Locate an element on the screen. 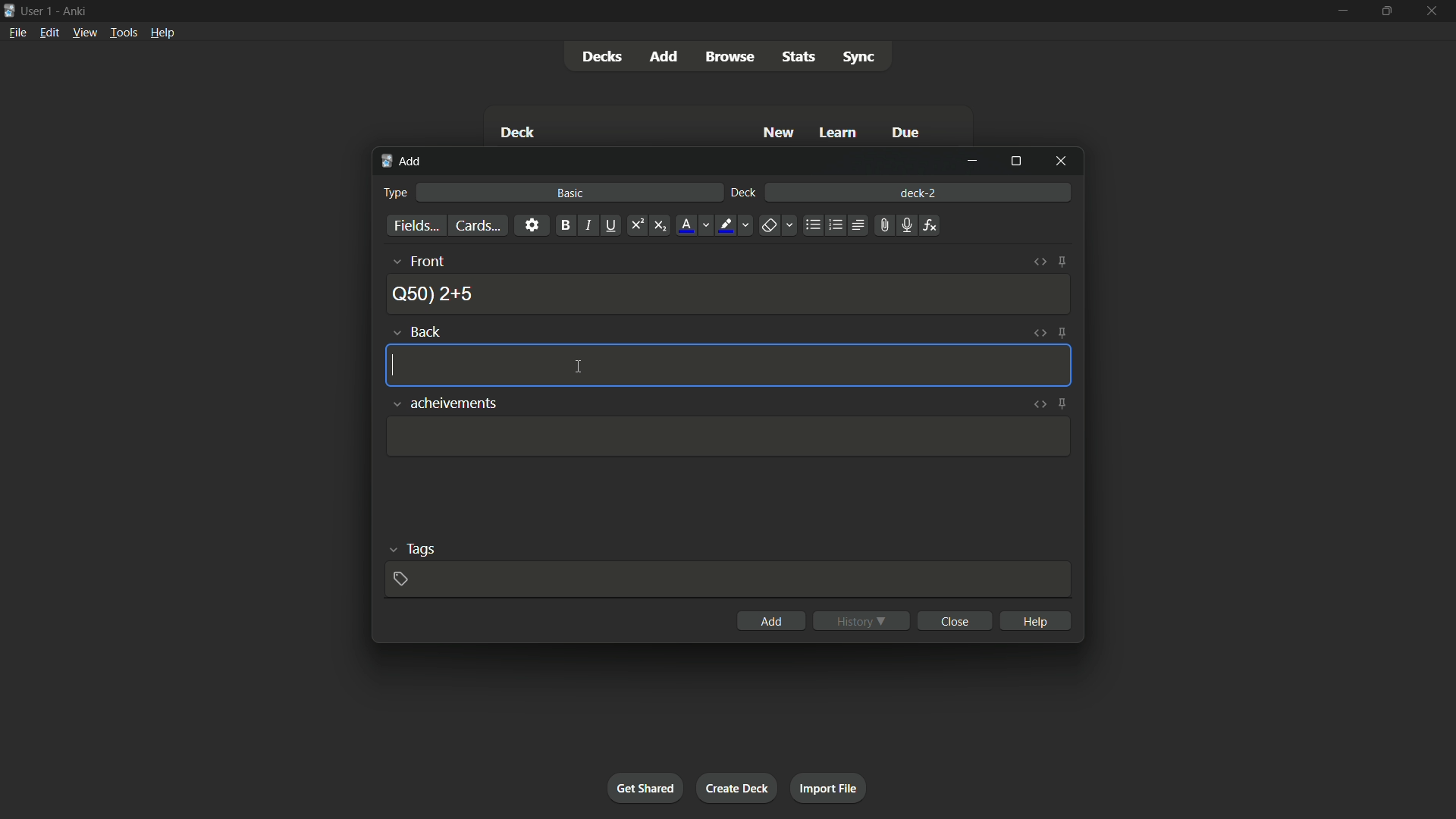  back is located at coordinates (418, 331).